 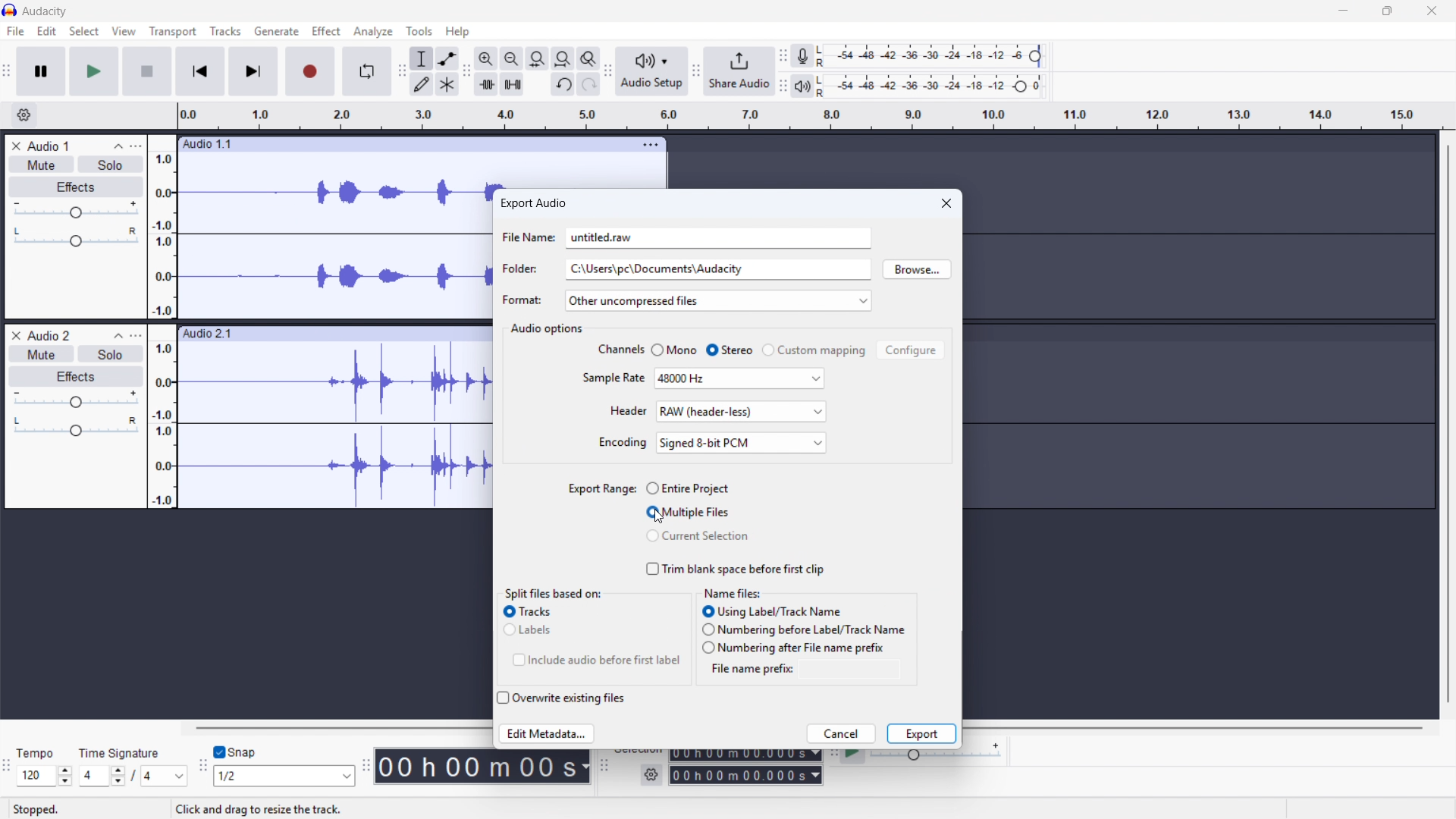 I want to click on Effects , so click(x=76, y=377).